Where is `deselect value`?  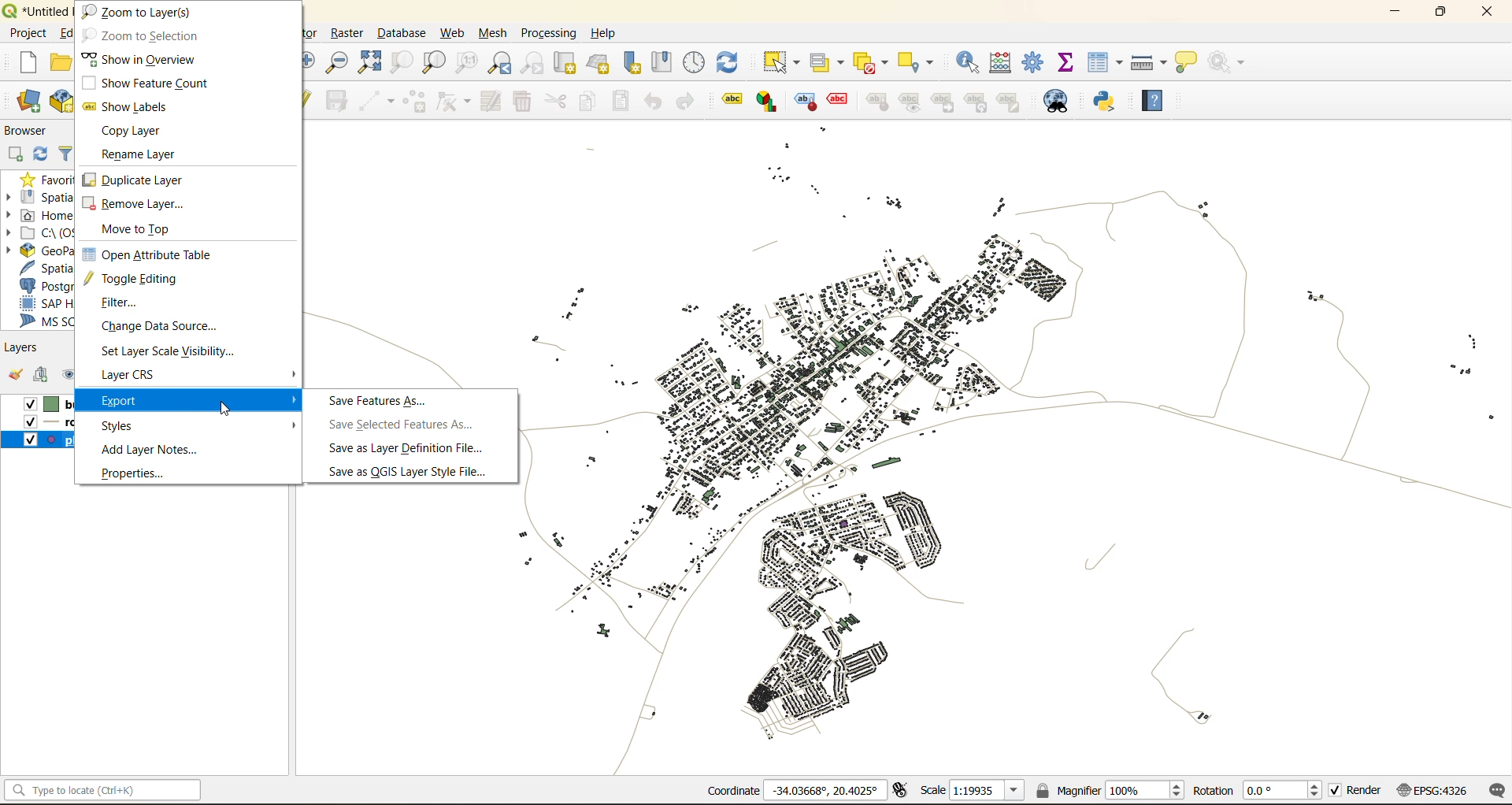 deselect value is located at coordinates (869, 61).